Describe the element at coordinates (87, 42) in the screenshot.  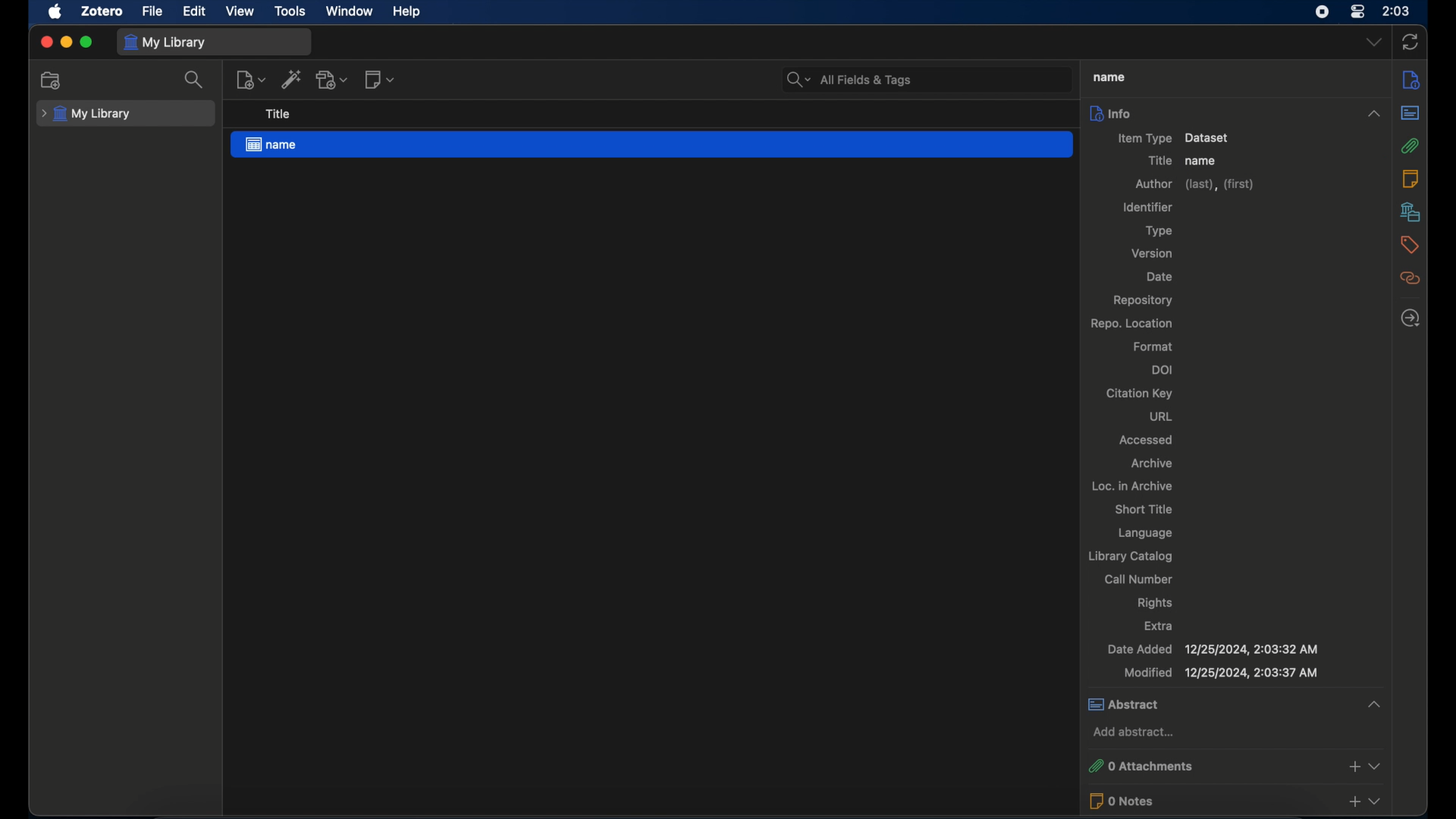
I see `maximize` at that location.